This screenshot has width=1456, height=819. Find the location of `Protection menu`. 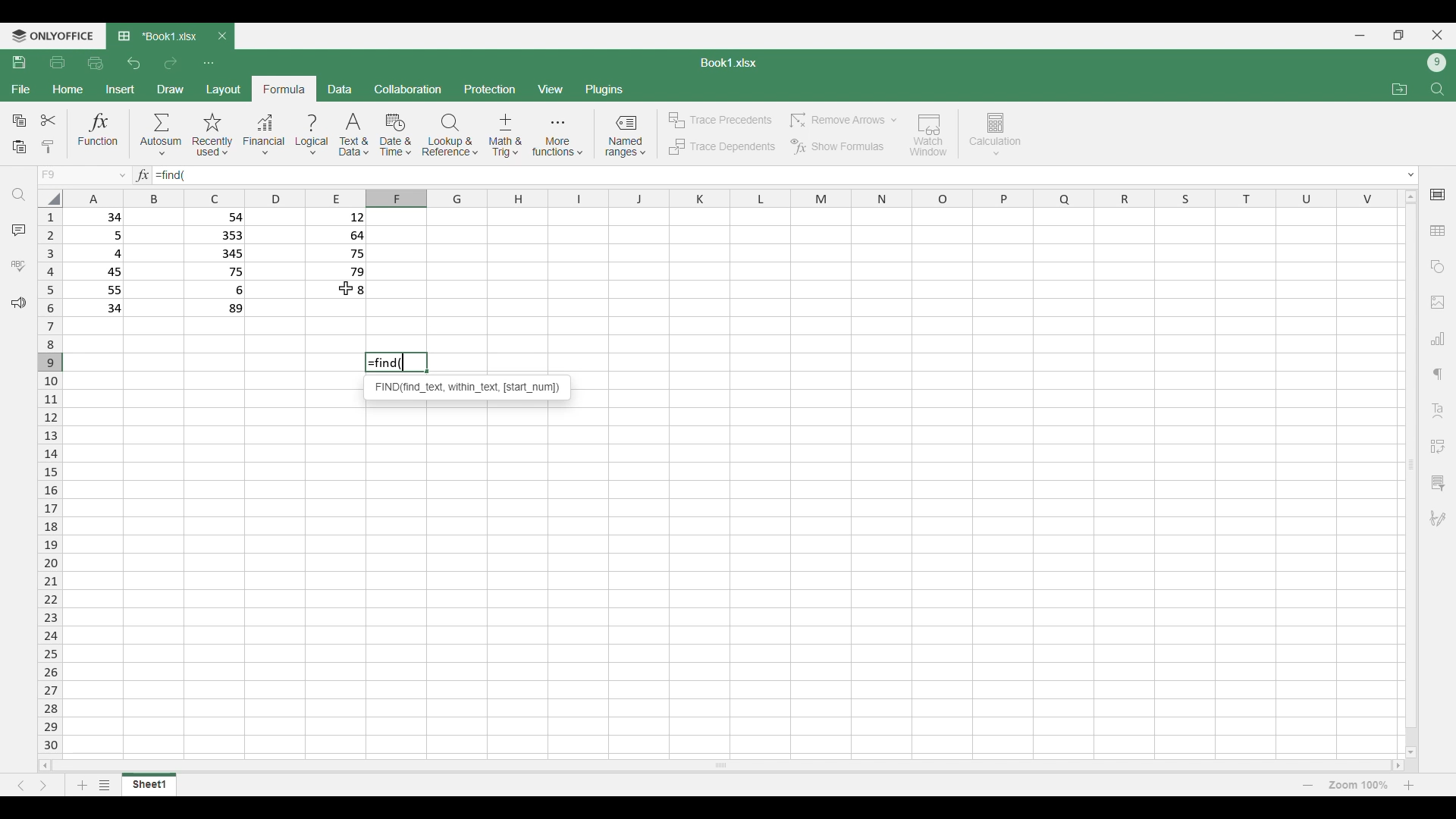

Protection menu is located at coordinates (490, 89).